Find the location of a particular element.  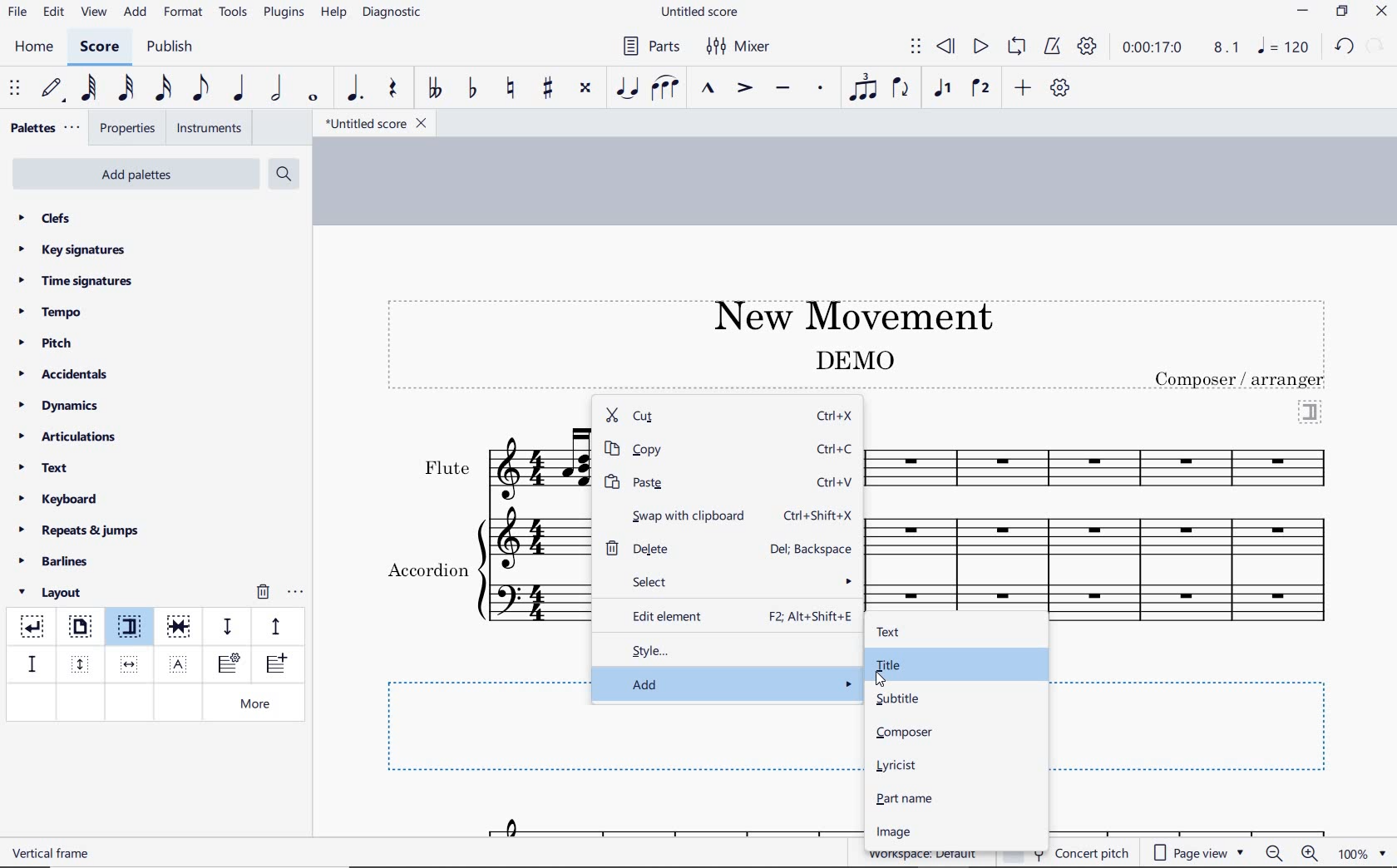

keep measure on the same system is located at coordinates (180, 627).